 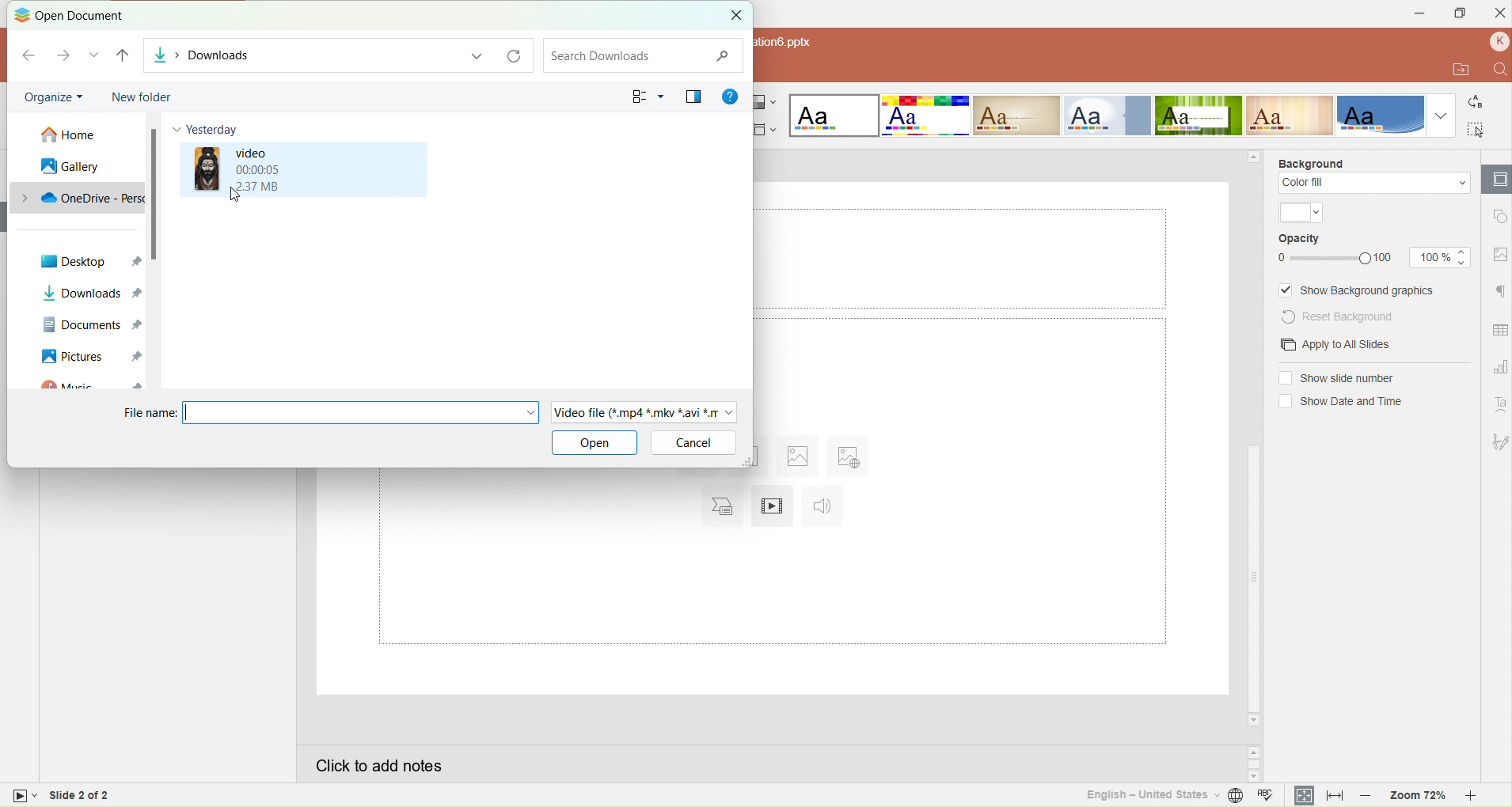 What do you see at coordinates (645, 56) in the screenshot?
I see `Search downloads` at bounding box center [645, 56].